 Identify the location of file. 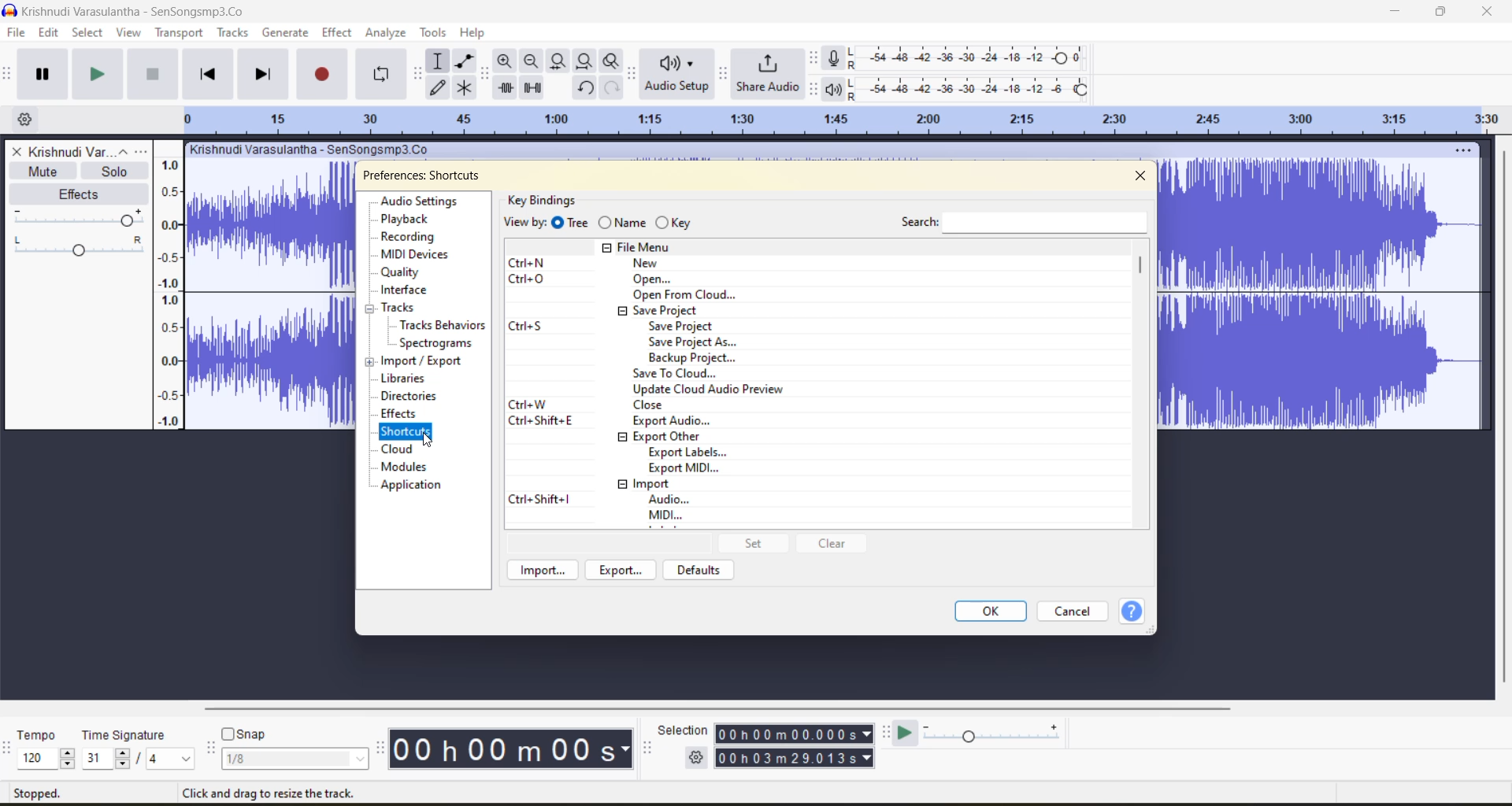
(14, 35).